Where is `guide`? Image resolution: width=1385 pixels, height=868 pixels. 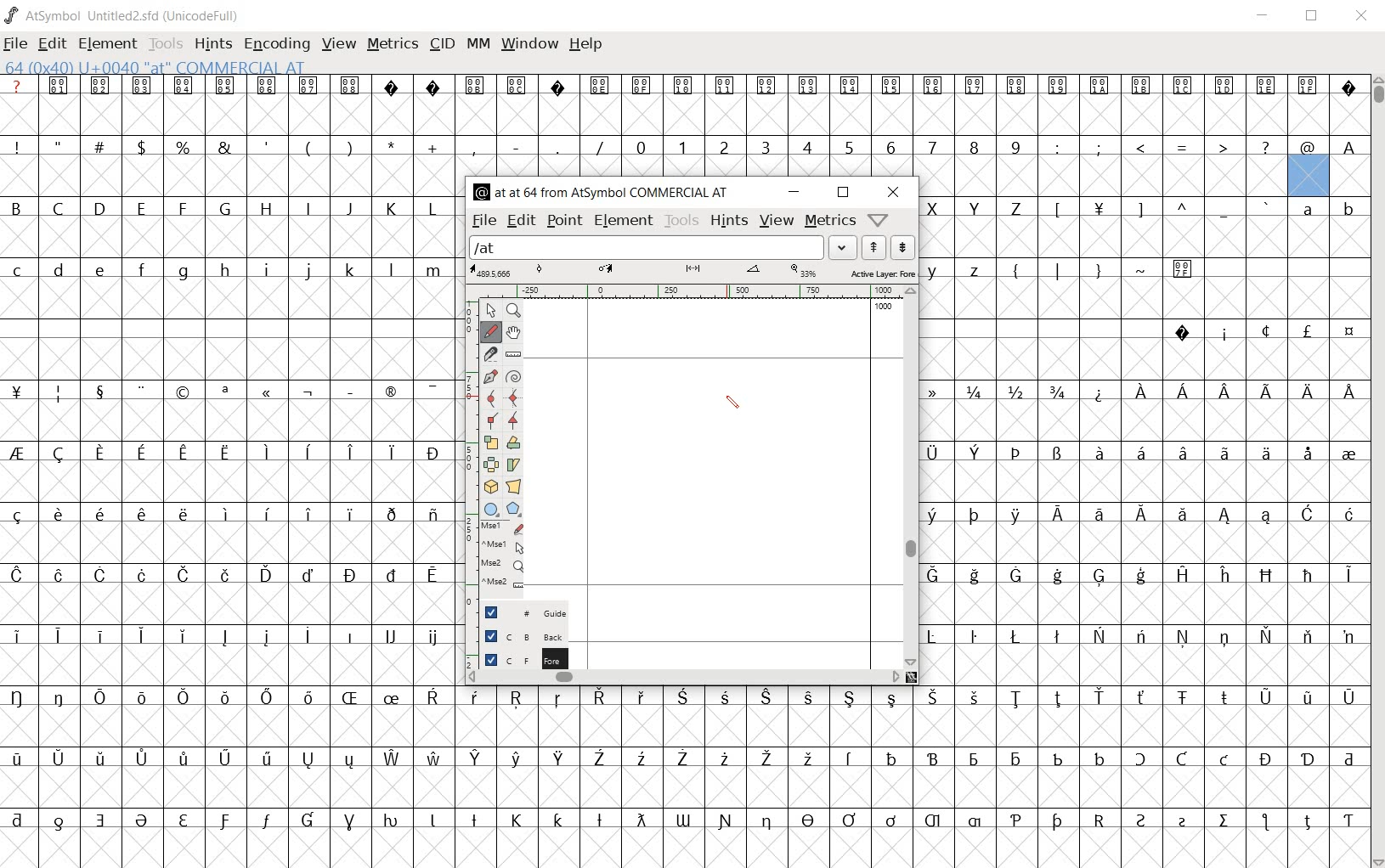 guide is located at coordinates (540, 613).